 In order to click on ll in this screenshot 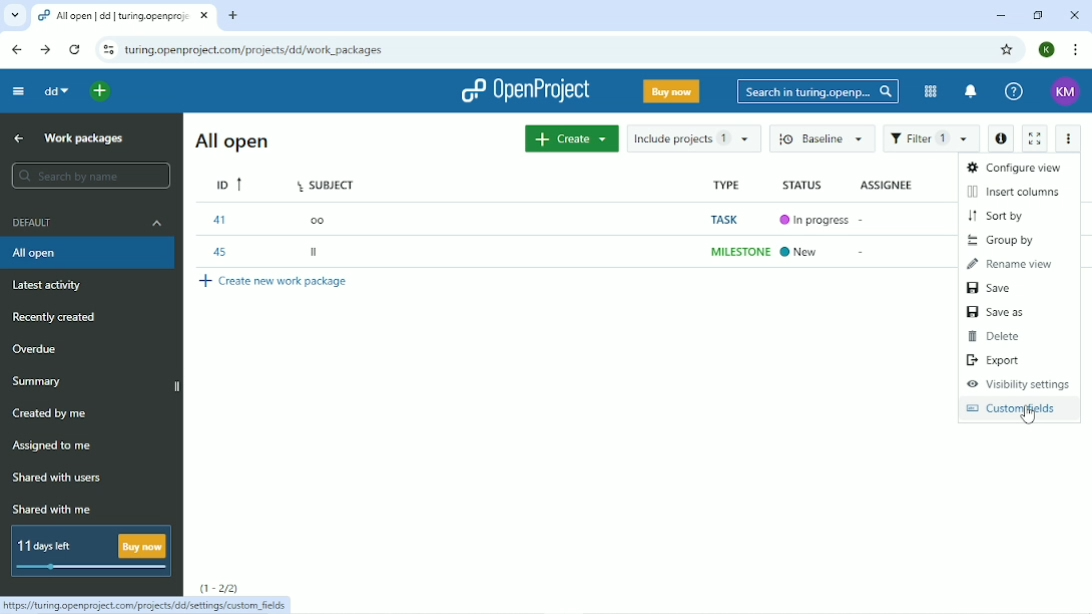, I will do `click(317, 250)`.